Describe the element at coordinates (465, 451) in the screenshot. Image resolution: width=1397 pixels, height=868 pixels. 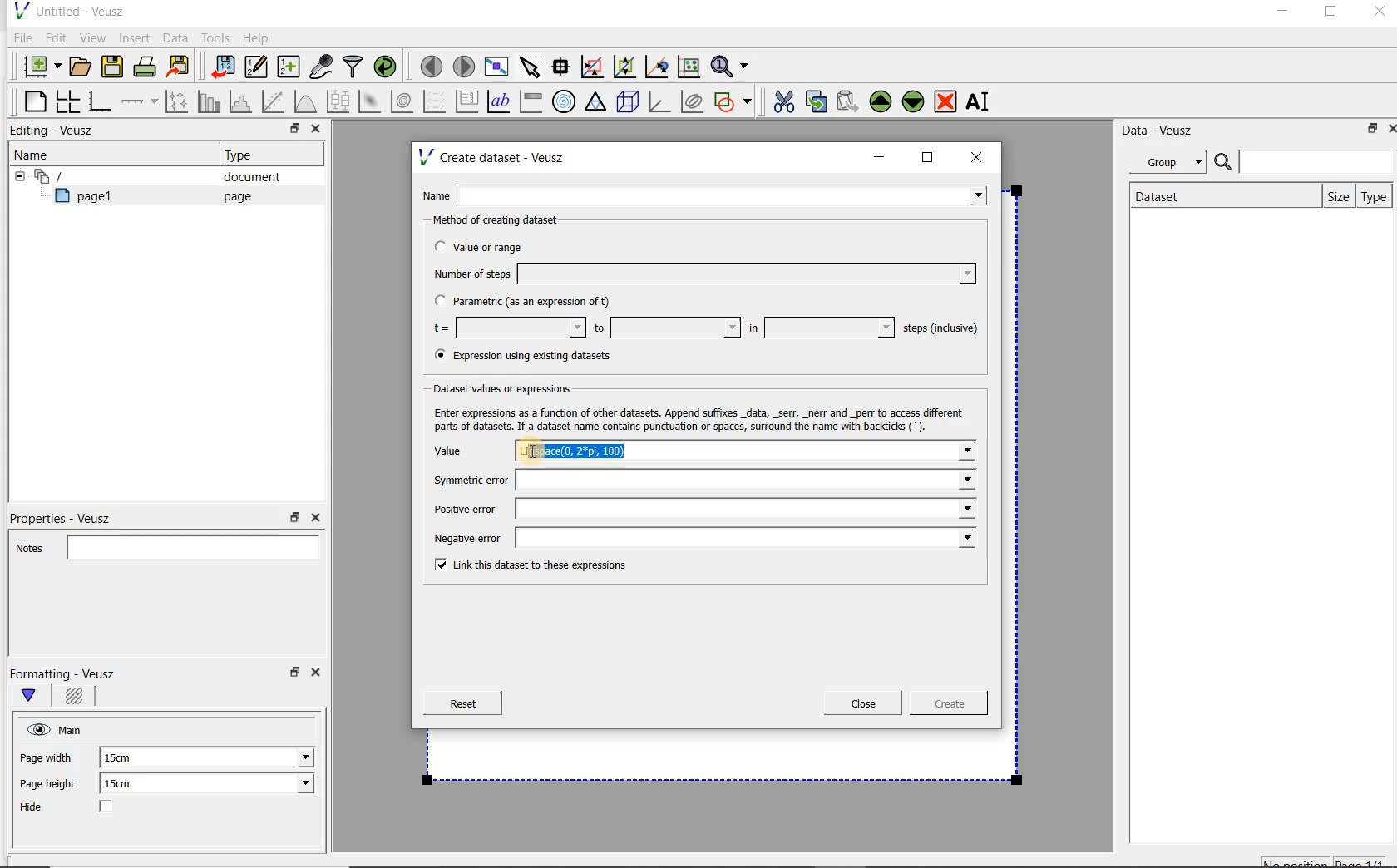
I see `Value` at that location.